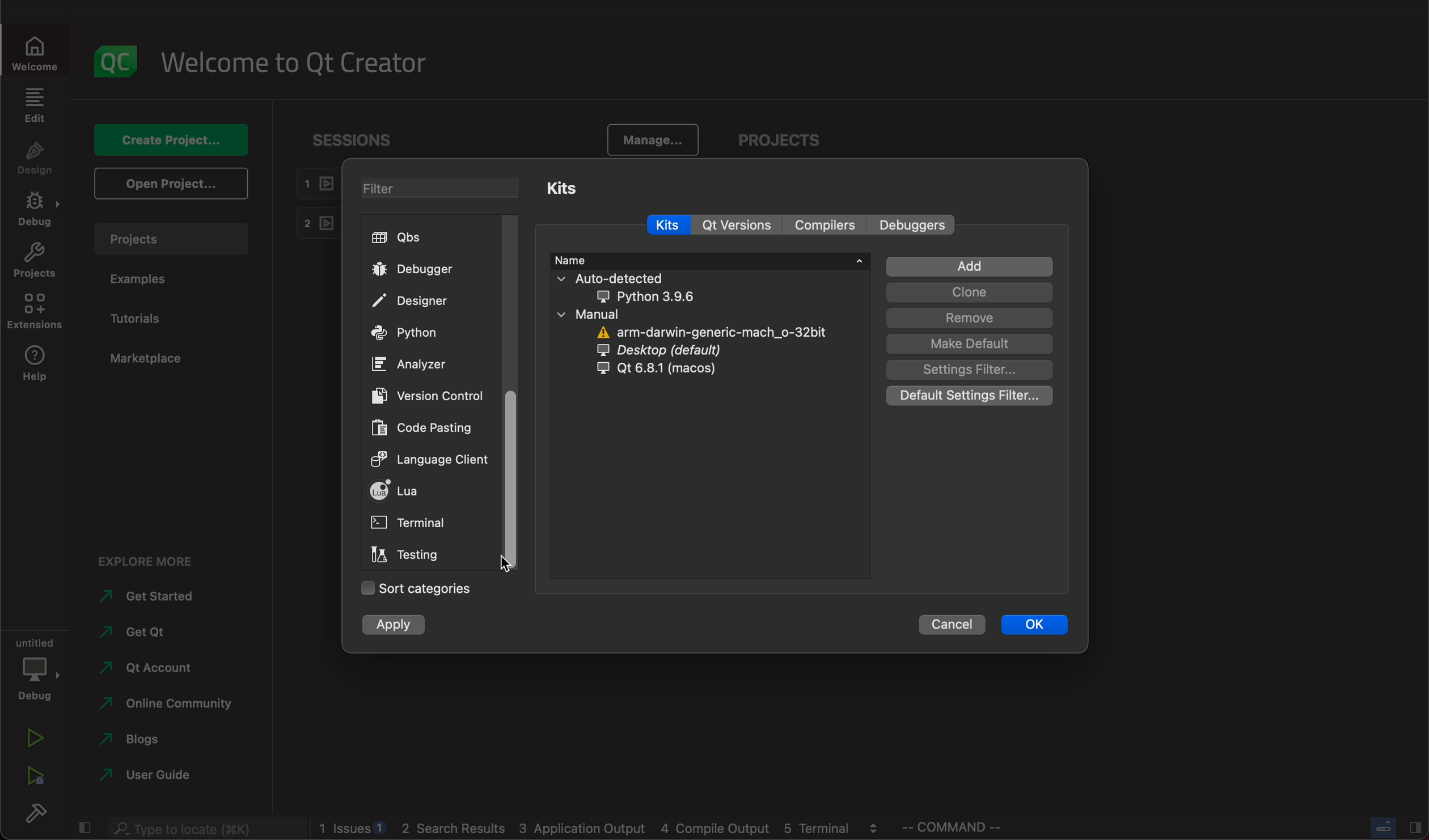  Describe the element at coordinates (669, 222) in the screenshot. I see `kits` at that location.